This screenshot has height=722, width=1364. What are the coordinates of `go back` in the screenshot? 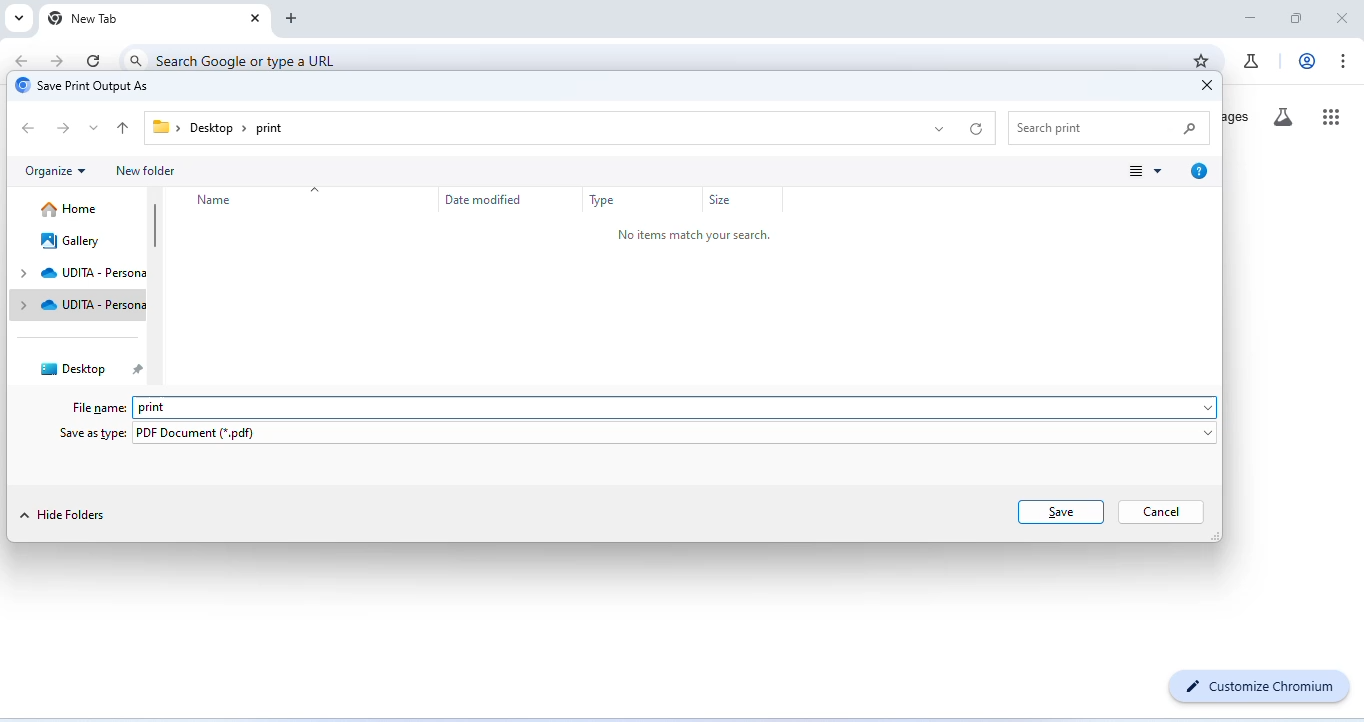 It's located at (25, 60).